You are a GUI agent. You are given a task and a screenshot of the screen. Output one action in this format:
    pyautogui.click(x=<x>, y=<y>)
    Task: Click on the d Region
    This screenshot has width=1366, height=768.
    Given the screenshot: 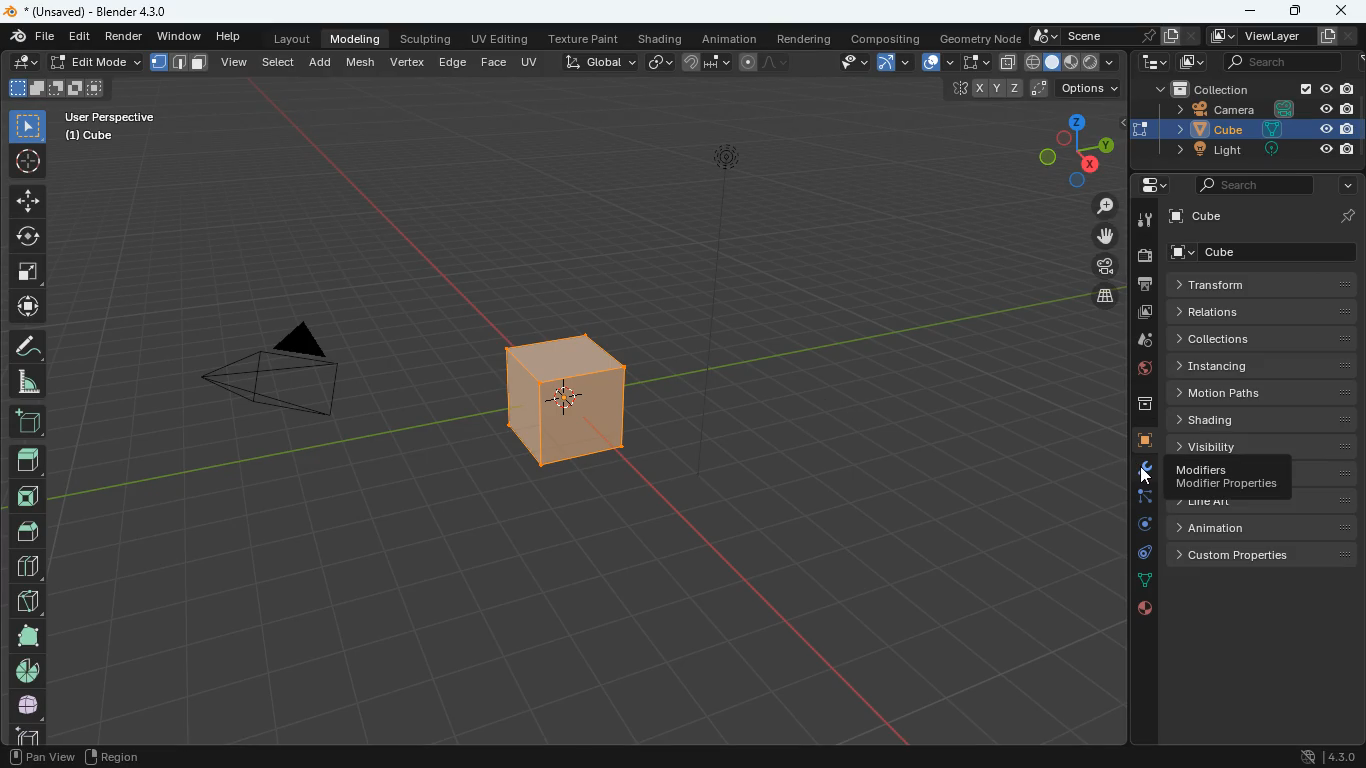 What is the action you would take?
    pyautogui.click(x=144, y=756)
    